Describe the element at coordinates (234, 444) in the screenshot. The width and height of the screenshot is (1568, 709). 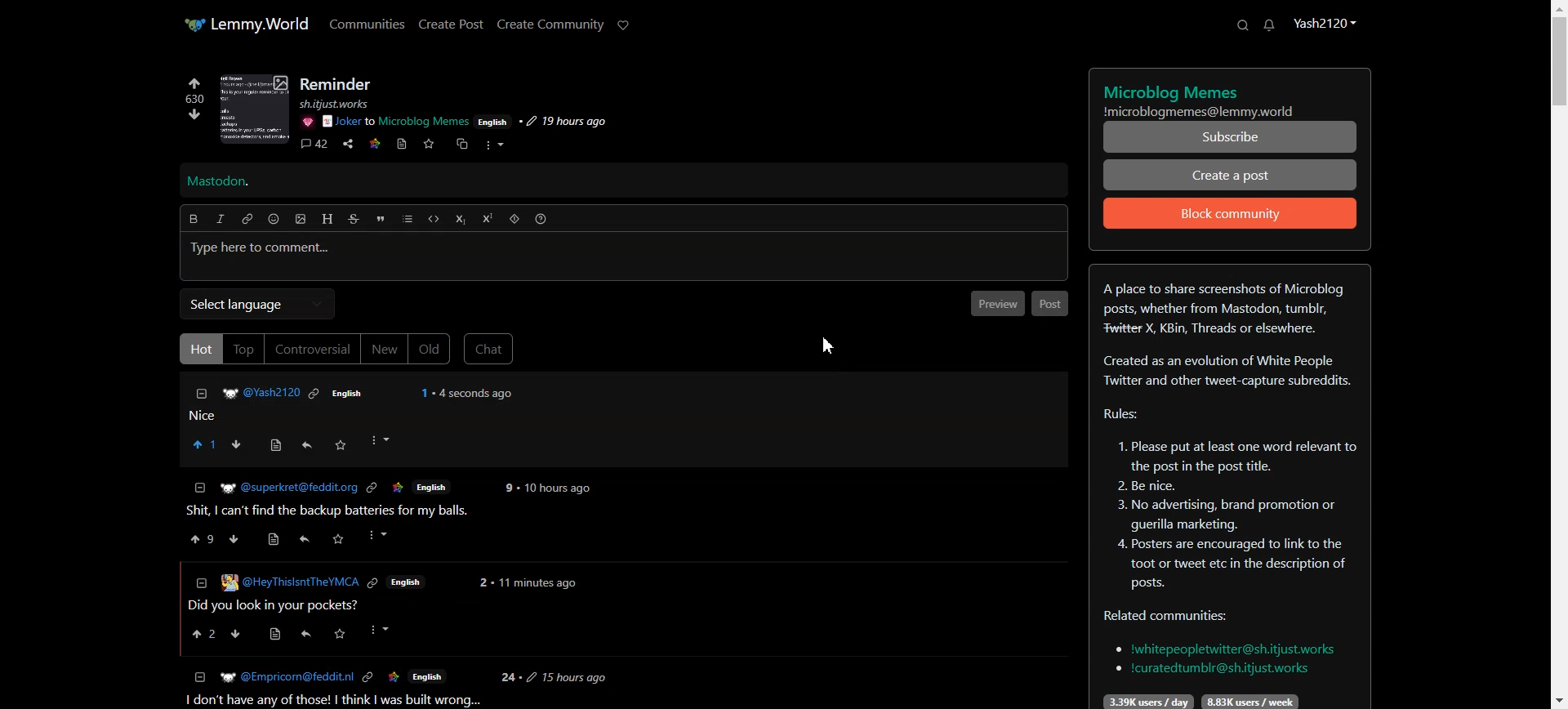
I see `Down Vote` at that location.